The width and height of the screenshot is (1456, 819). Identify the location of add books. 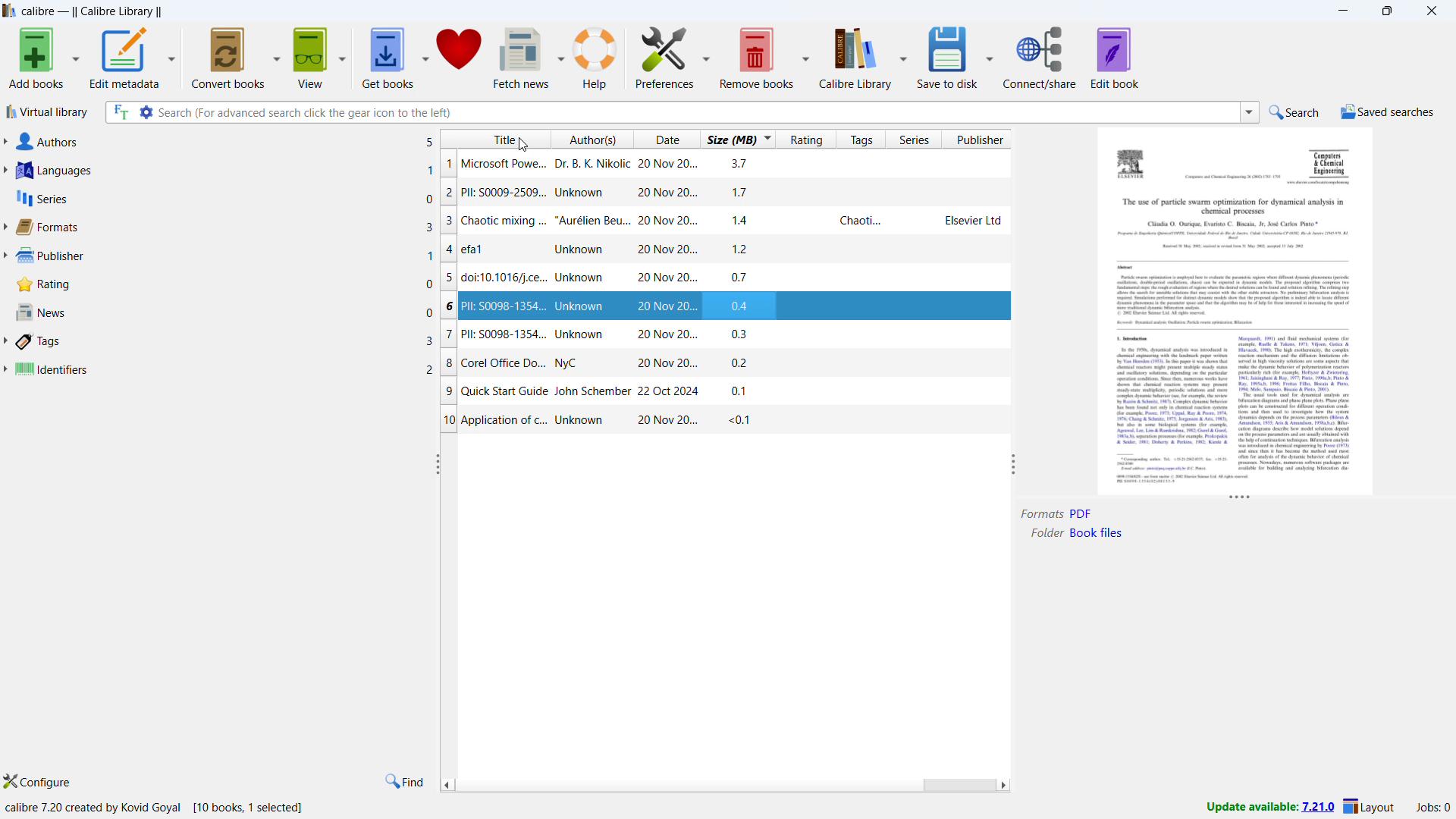
(33, 60).